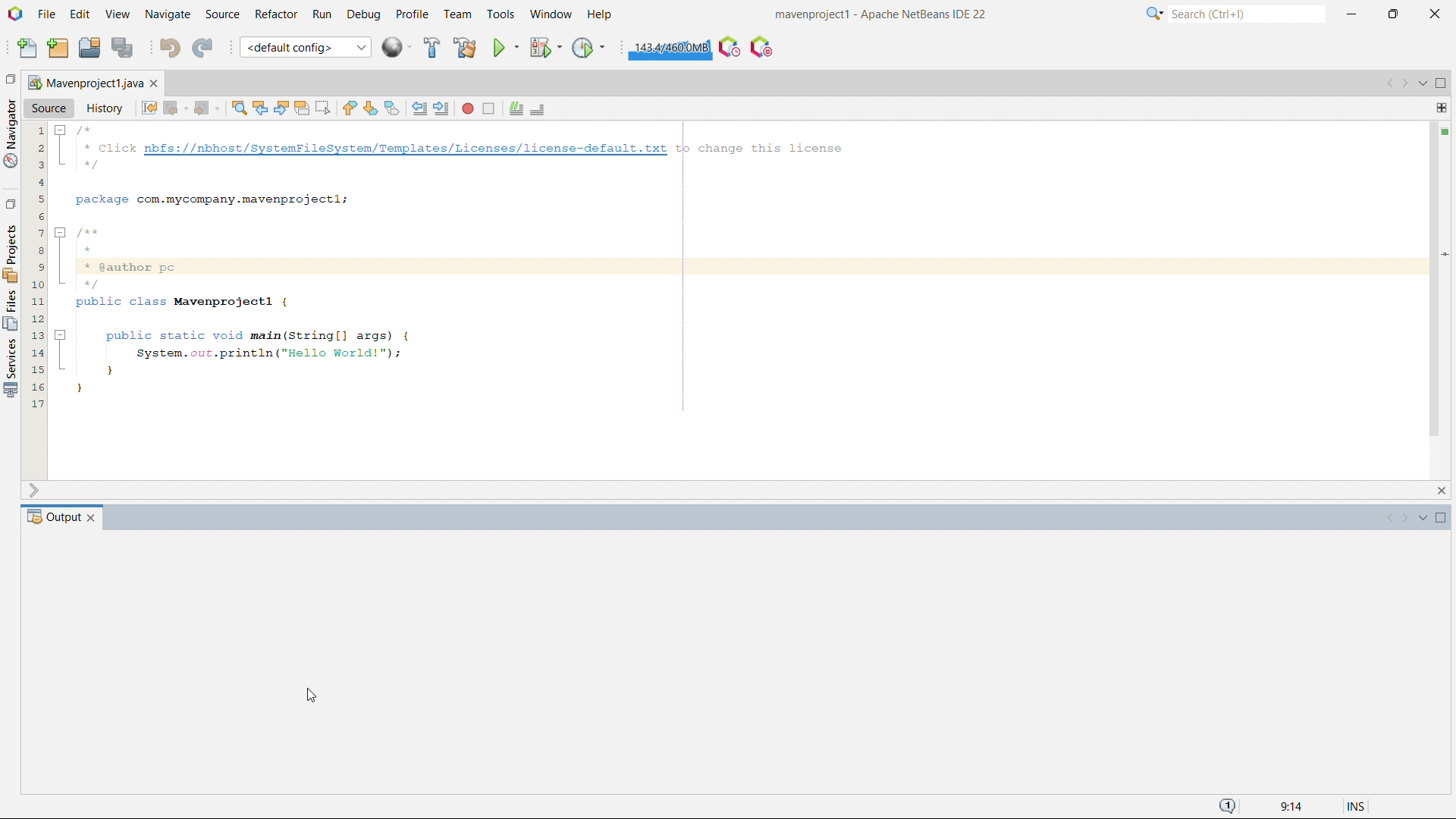 This screenshot has height=819, width=1456. I want to click on shift line left, so click(420, 109).